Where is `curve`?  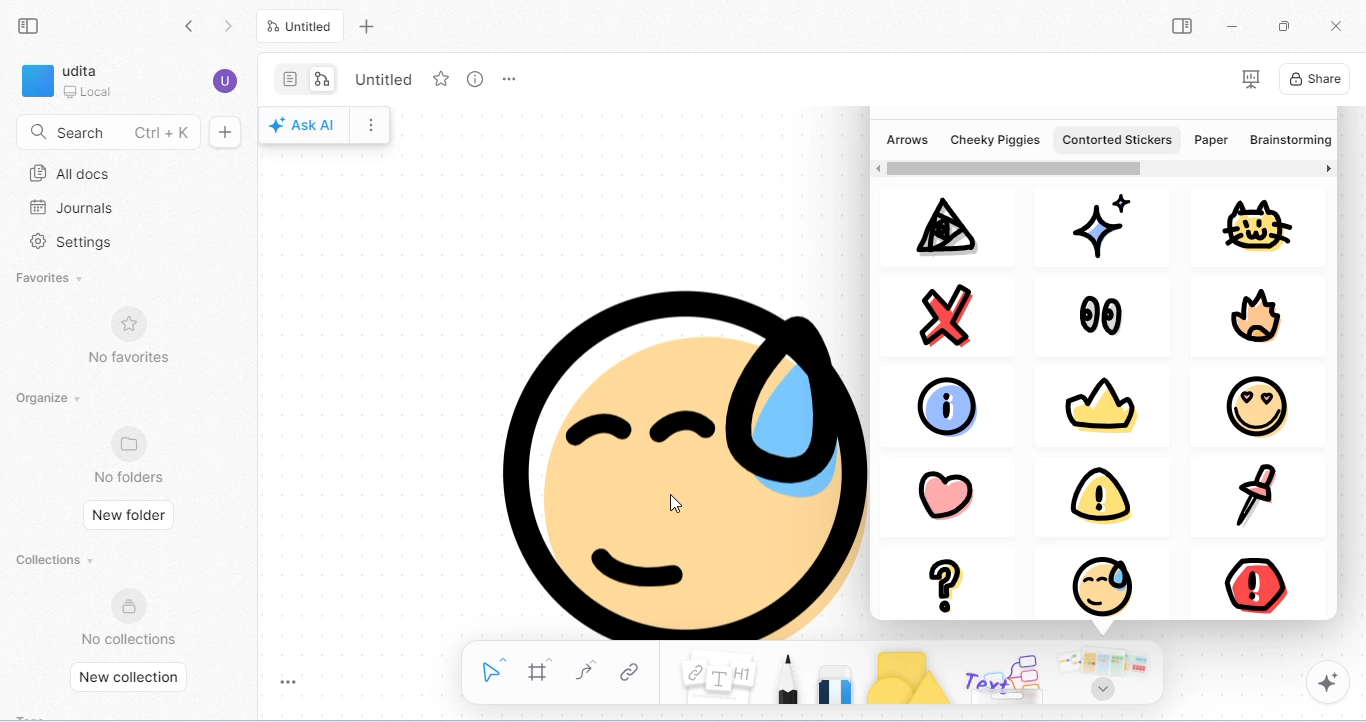 curve is located at coordinates (589, 671).